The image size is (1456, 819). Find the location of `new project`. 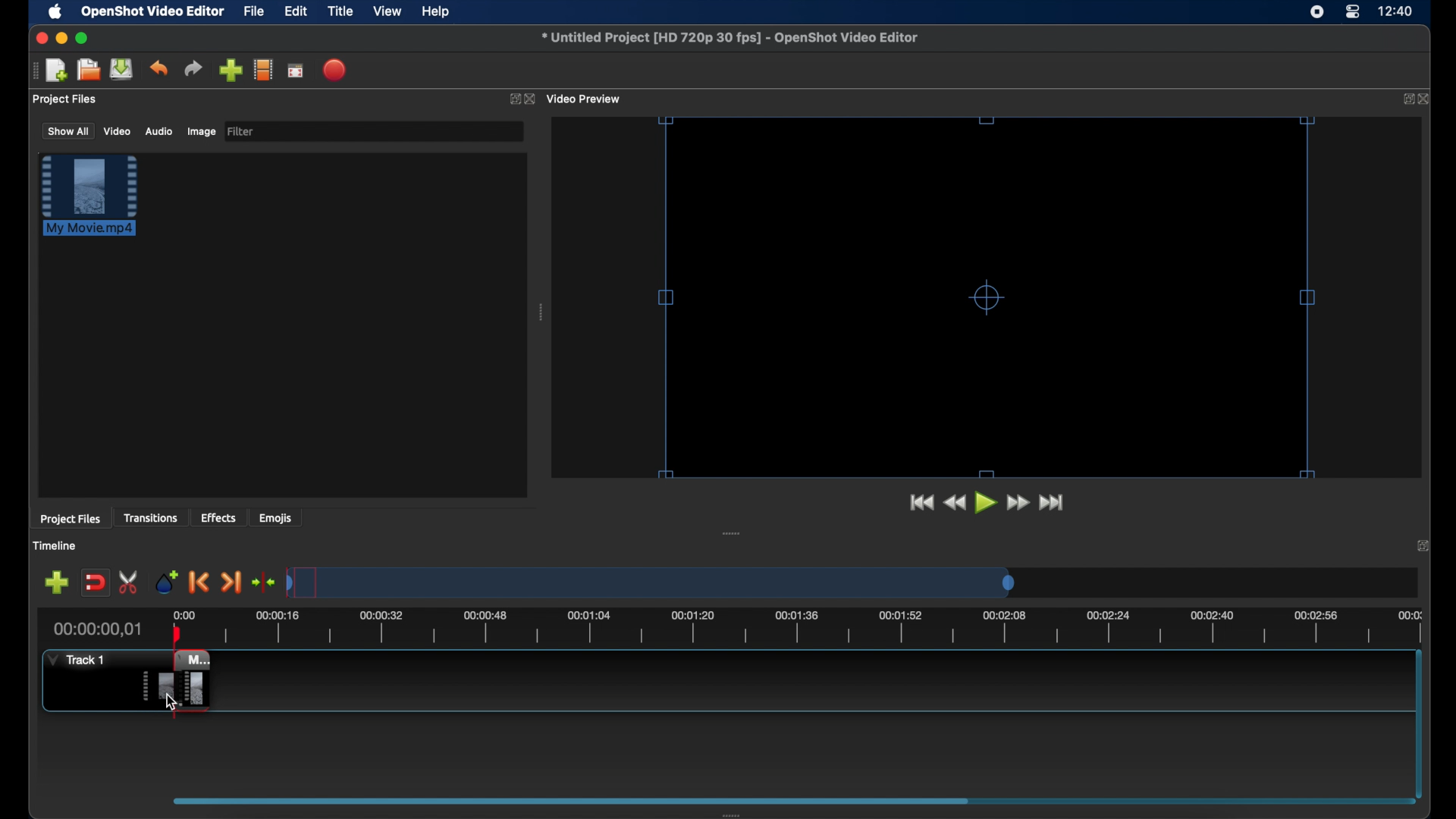

new project is located at coordinates (57, 71).